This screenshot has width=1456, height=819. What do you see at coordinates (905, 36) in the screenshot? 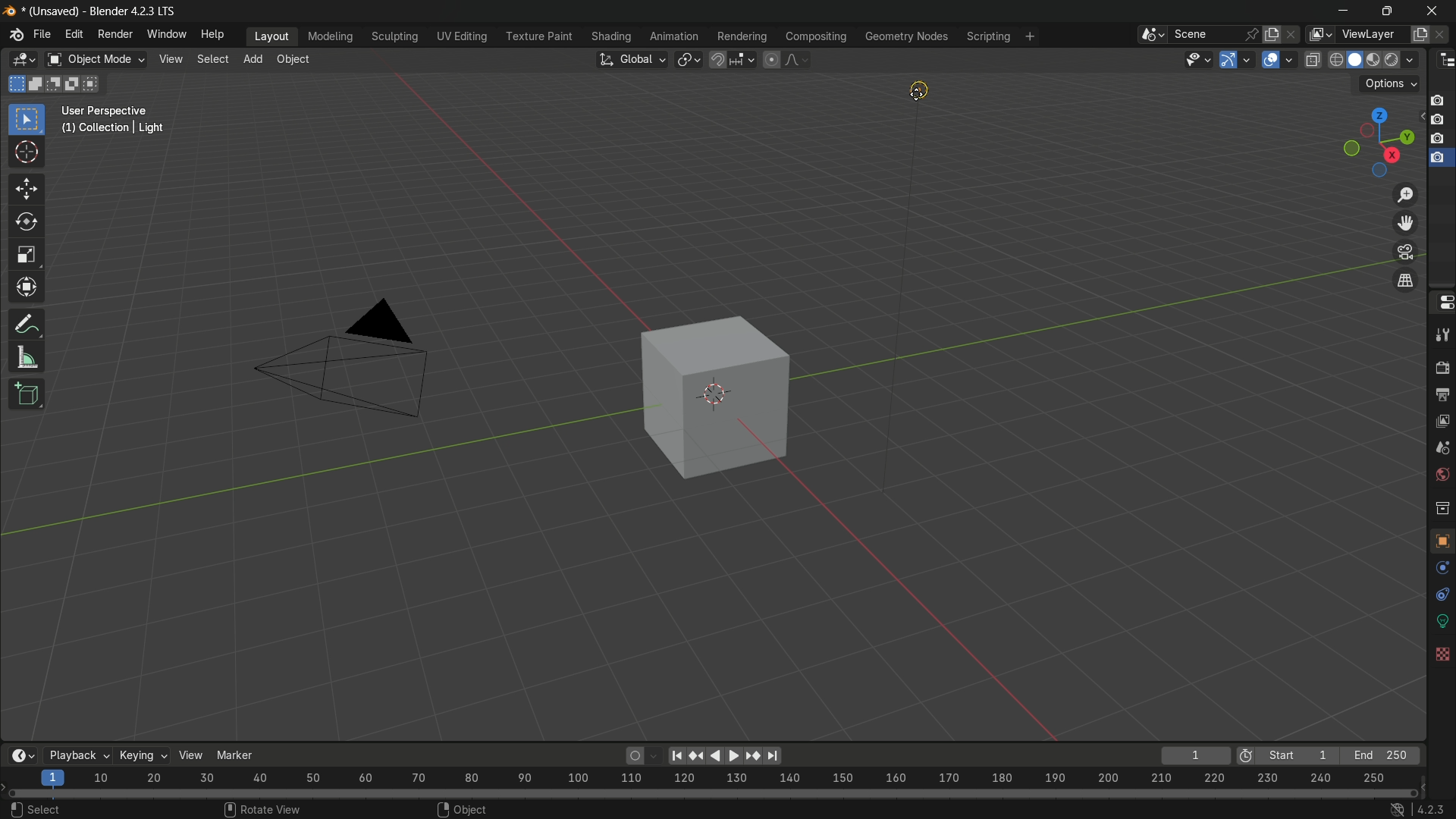
I see `geometry nodes menu` at bounding box center [905, 36].